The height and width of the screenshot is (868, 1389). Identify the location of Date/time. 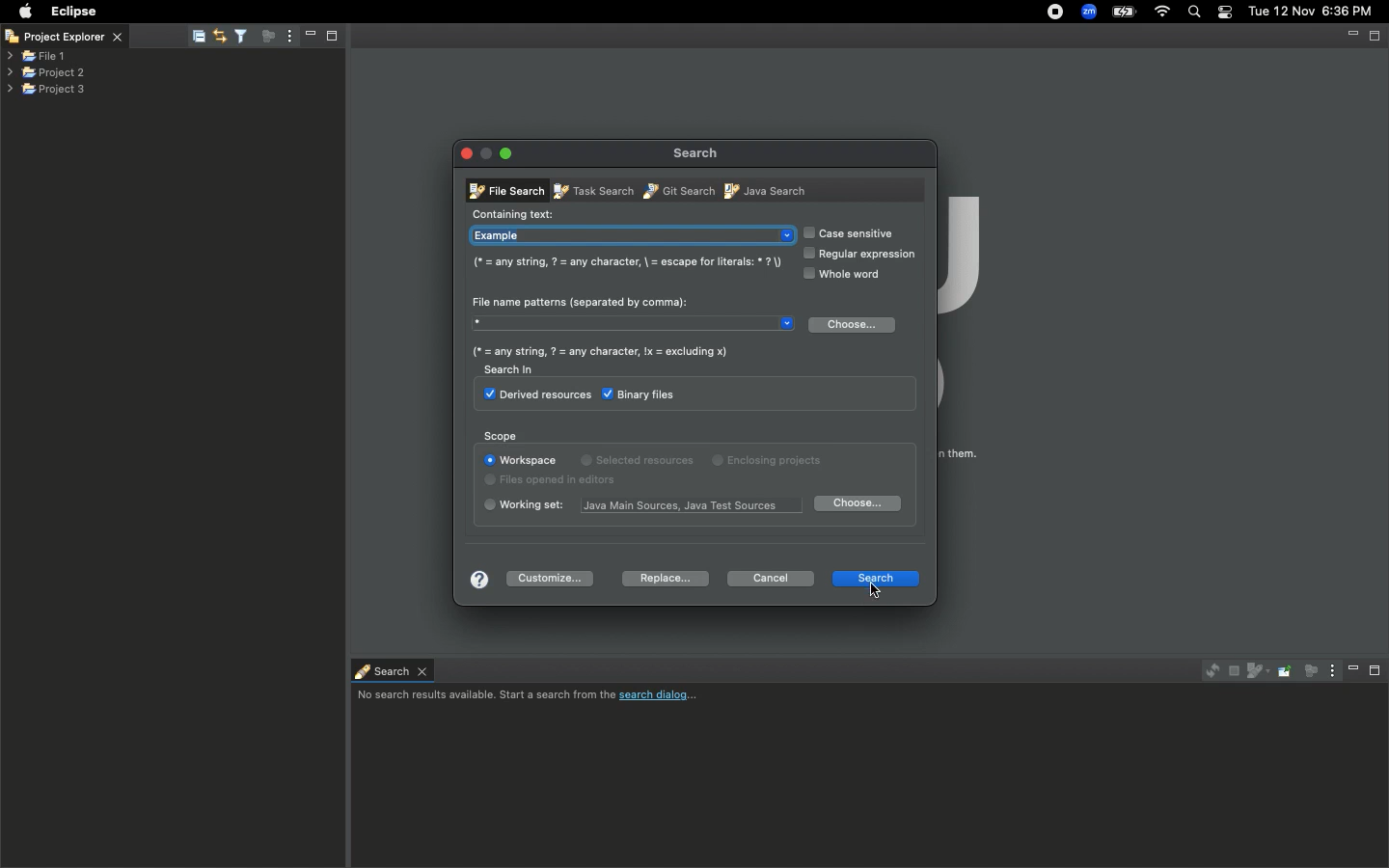
(1312, 11).